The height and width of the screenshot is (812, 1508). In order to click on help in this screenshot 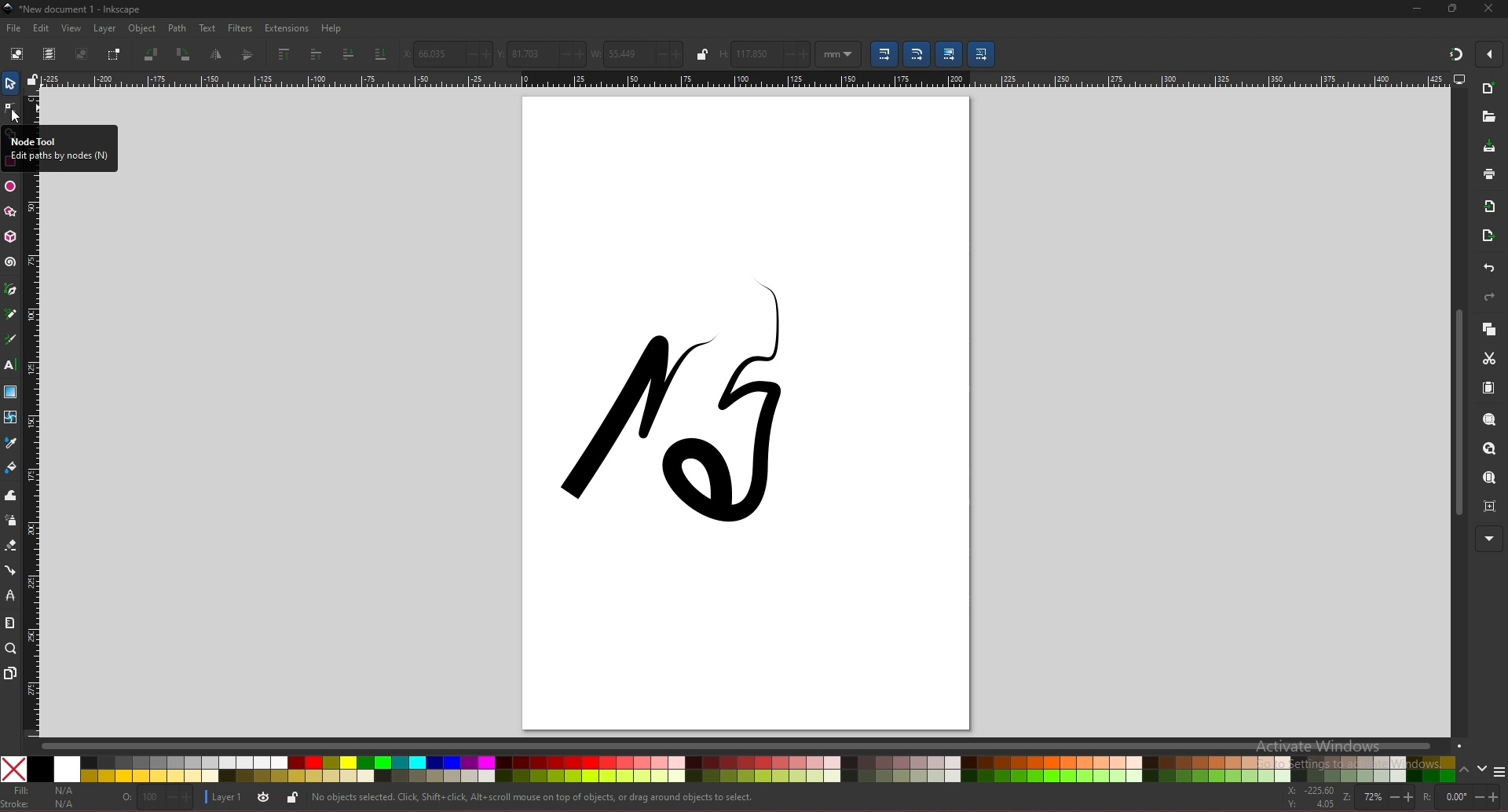, I will do `click(331, 29)`.